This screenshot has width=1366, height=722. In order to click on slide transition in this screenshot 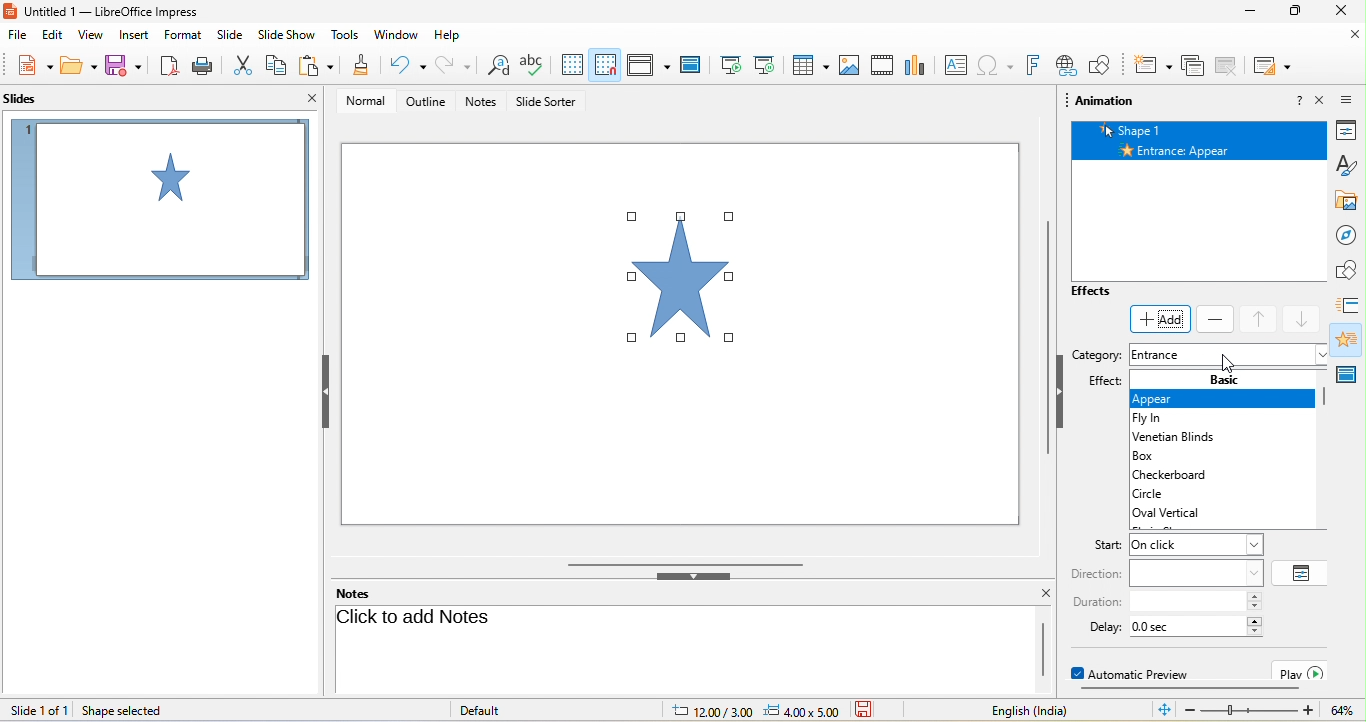, I will do `click(1350, 305)`.